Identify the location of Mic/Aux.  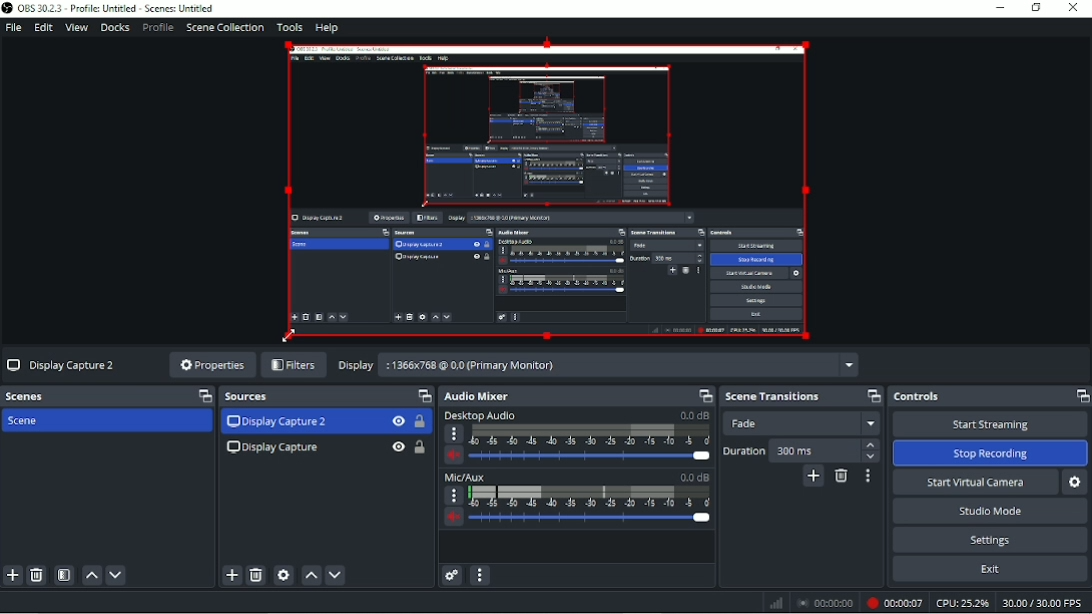
(466, 476).